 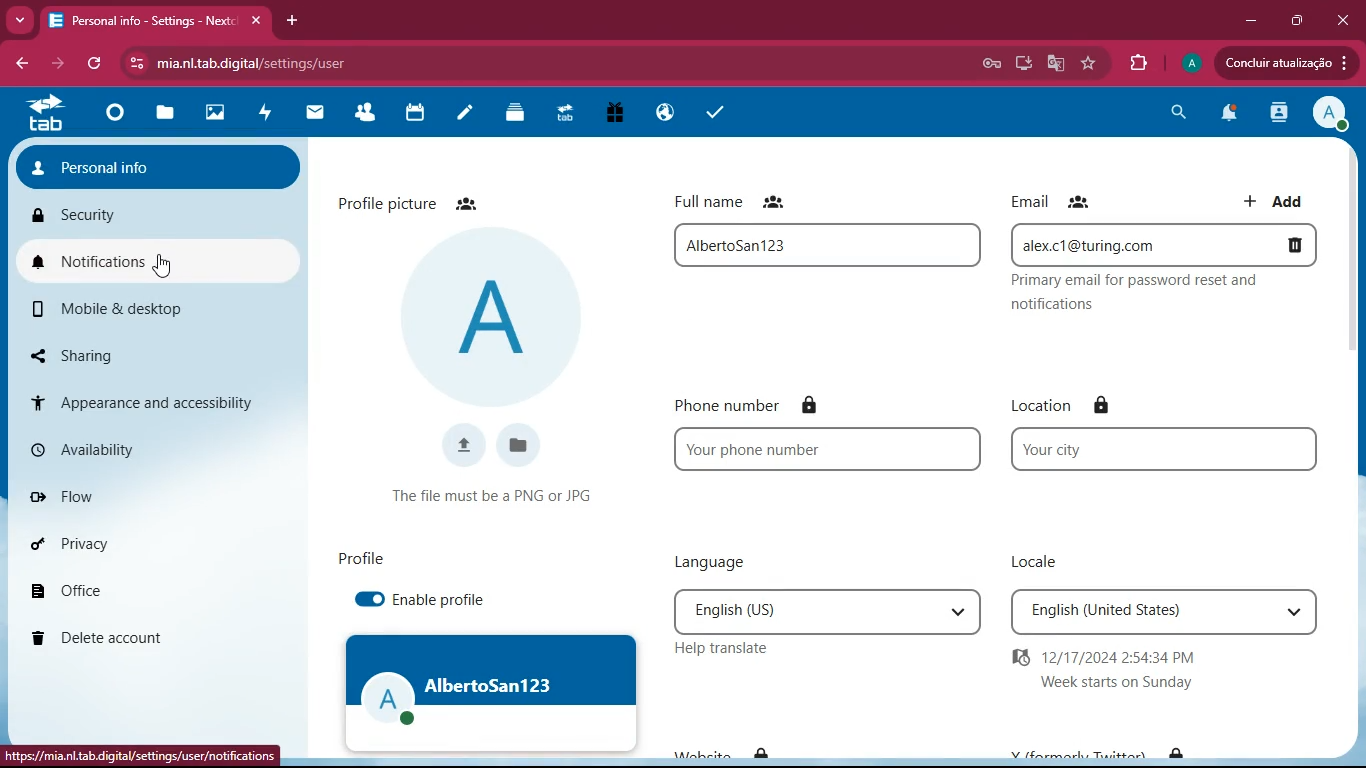 I want to click on profile picture, so click(x=414, y=202).